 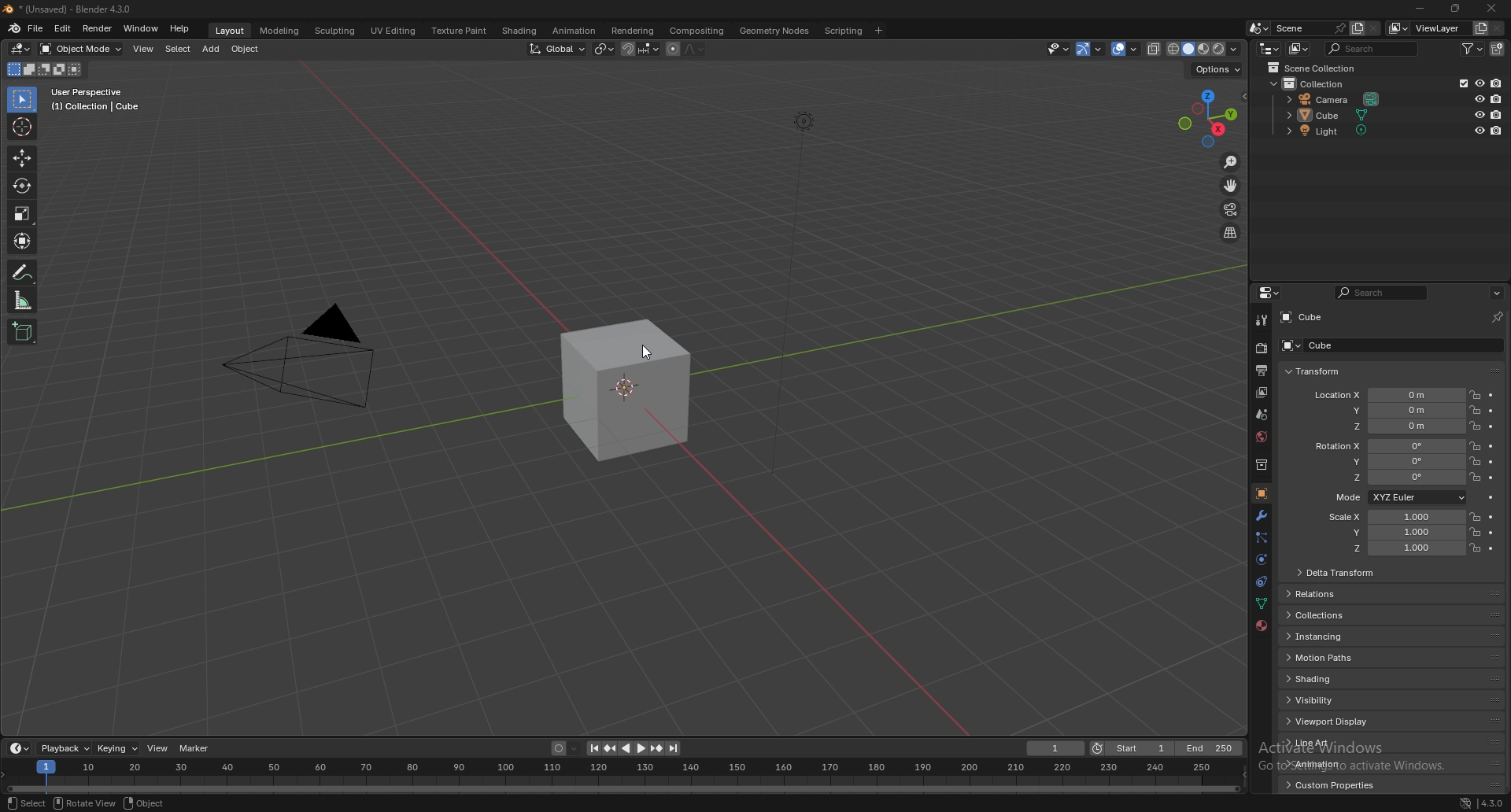 I want to click on object, so click(x=247, y=49).